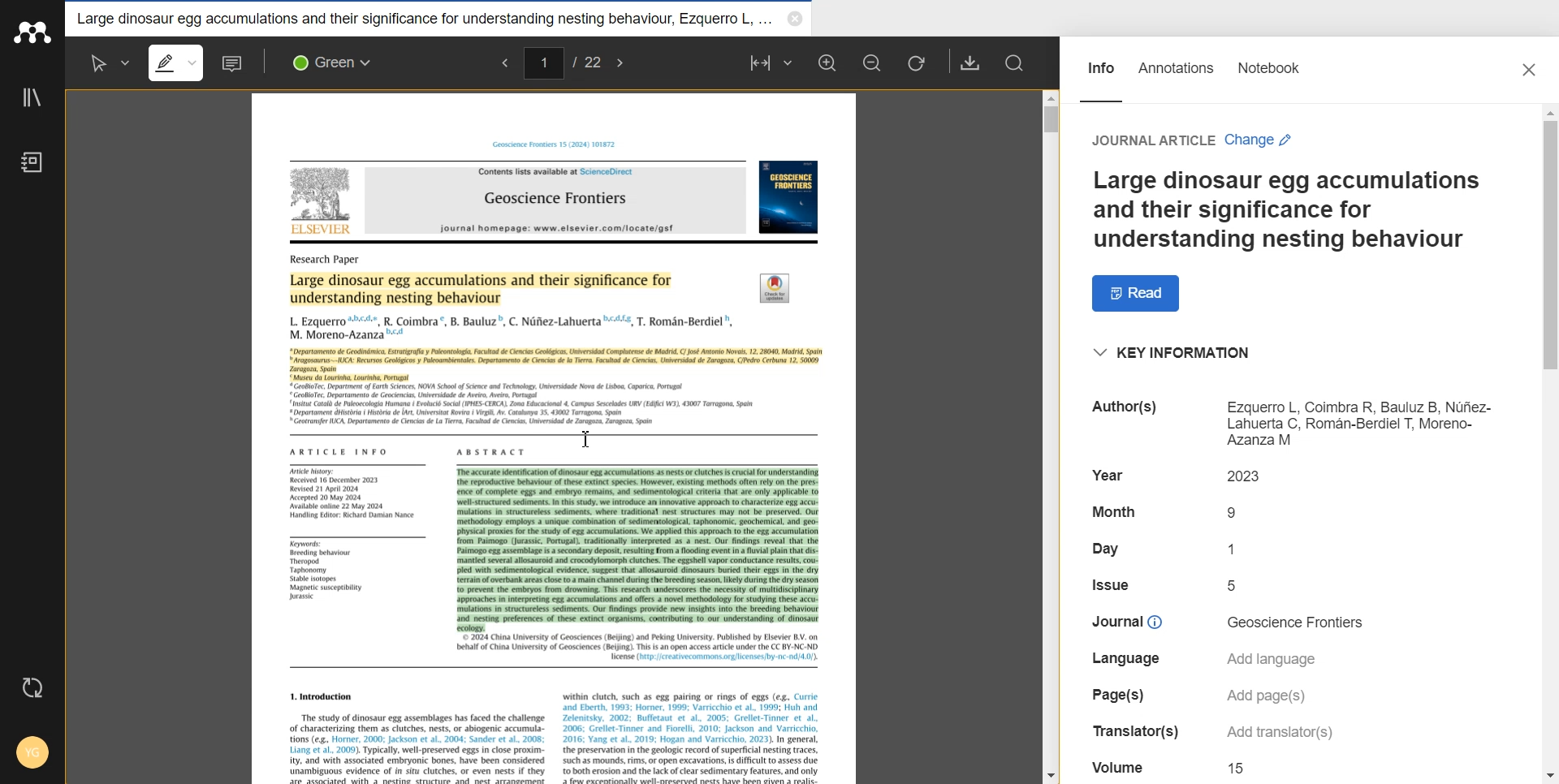 This screenshot has height=784, width=1559. Describe the element at coordinates (485, 288) in the screenshot. I see `Highlighted Text` at that location.